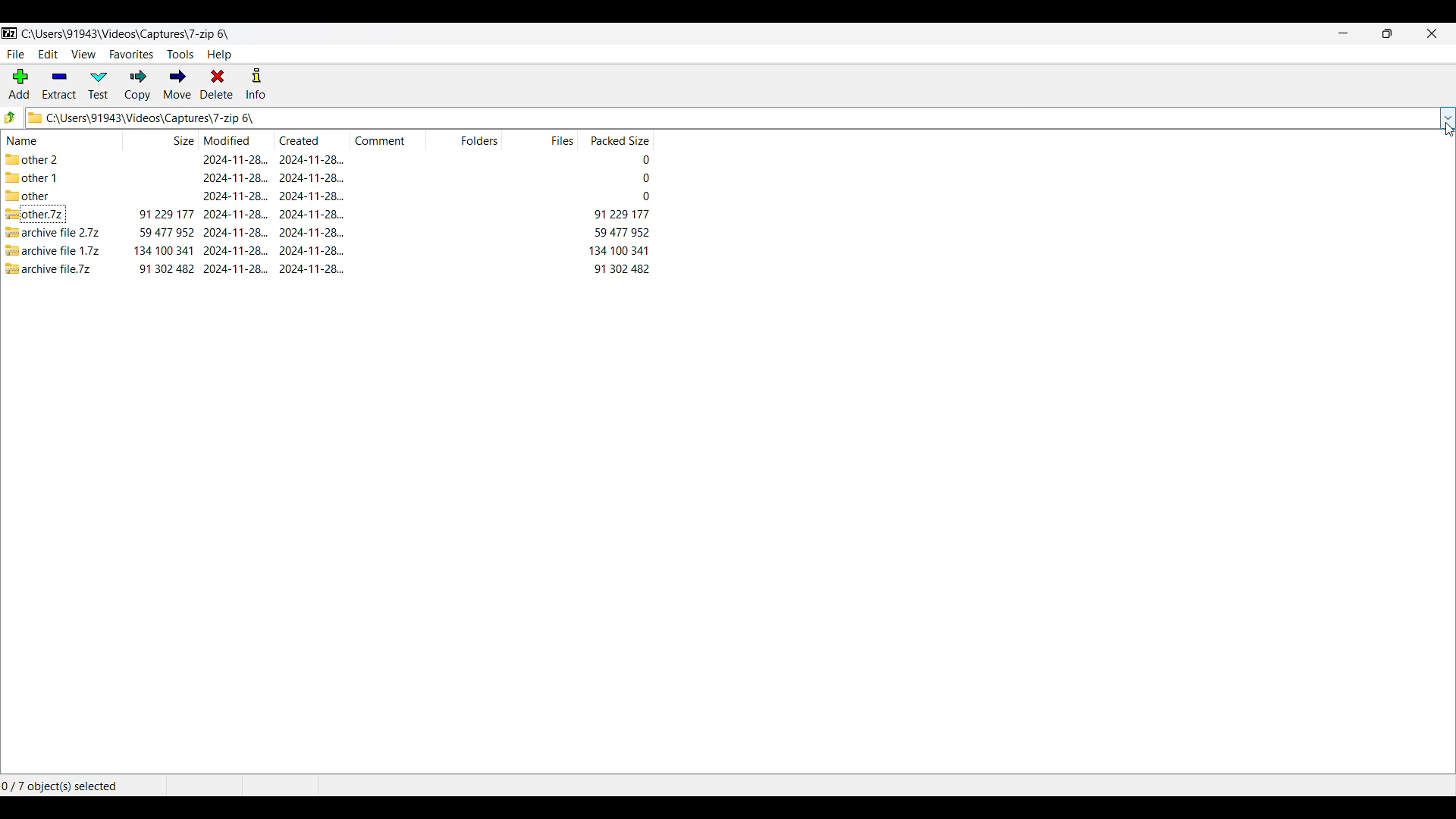 The height and width of the screenshot is (819, 1456). Describe the element at coordinates (167, 268) in the screenshot. I see `size` at that location.